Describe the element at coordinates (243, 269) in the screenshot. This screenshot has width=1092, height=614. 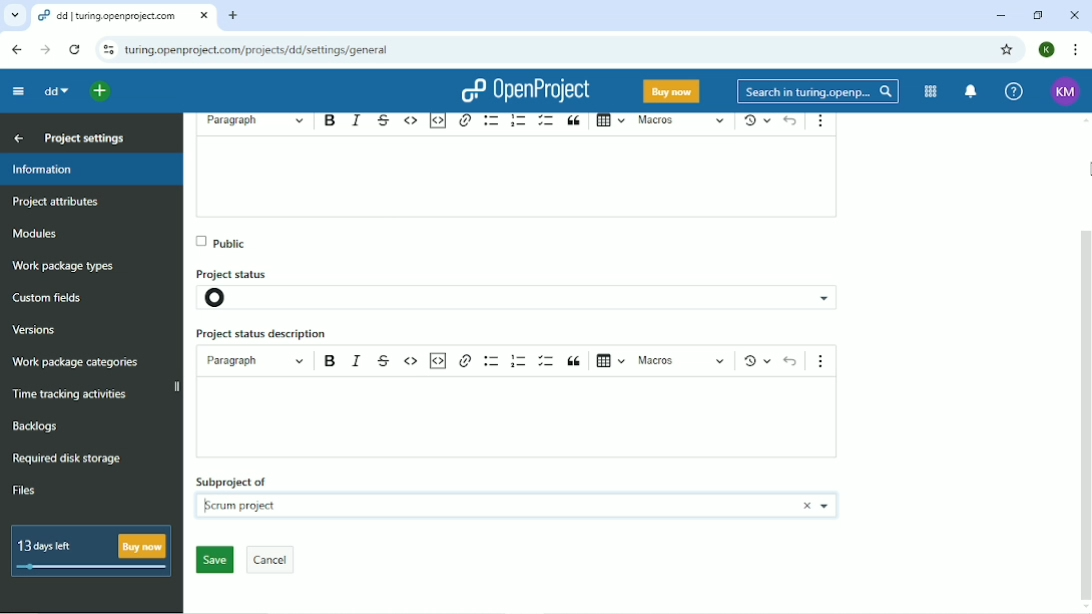
I see `Project status` at that location.